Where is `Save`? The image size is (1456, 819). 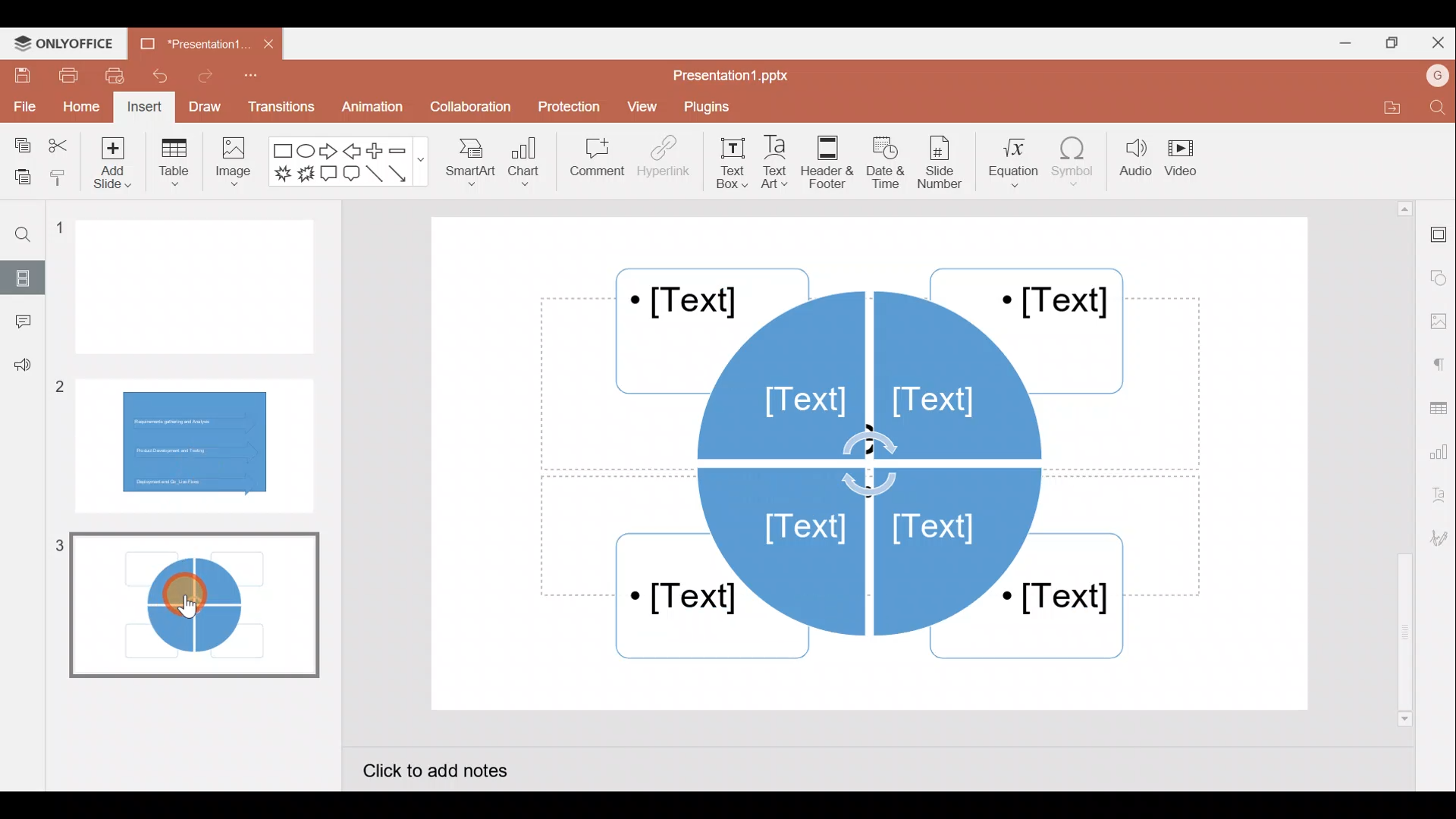
Save is located at coordinates (20, 76).